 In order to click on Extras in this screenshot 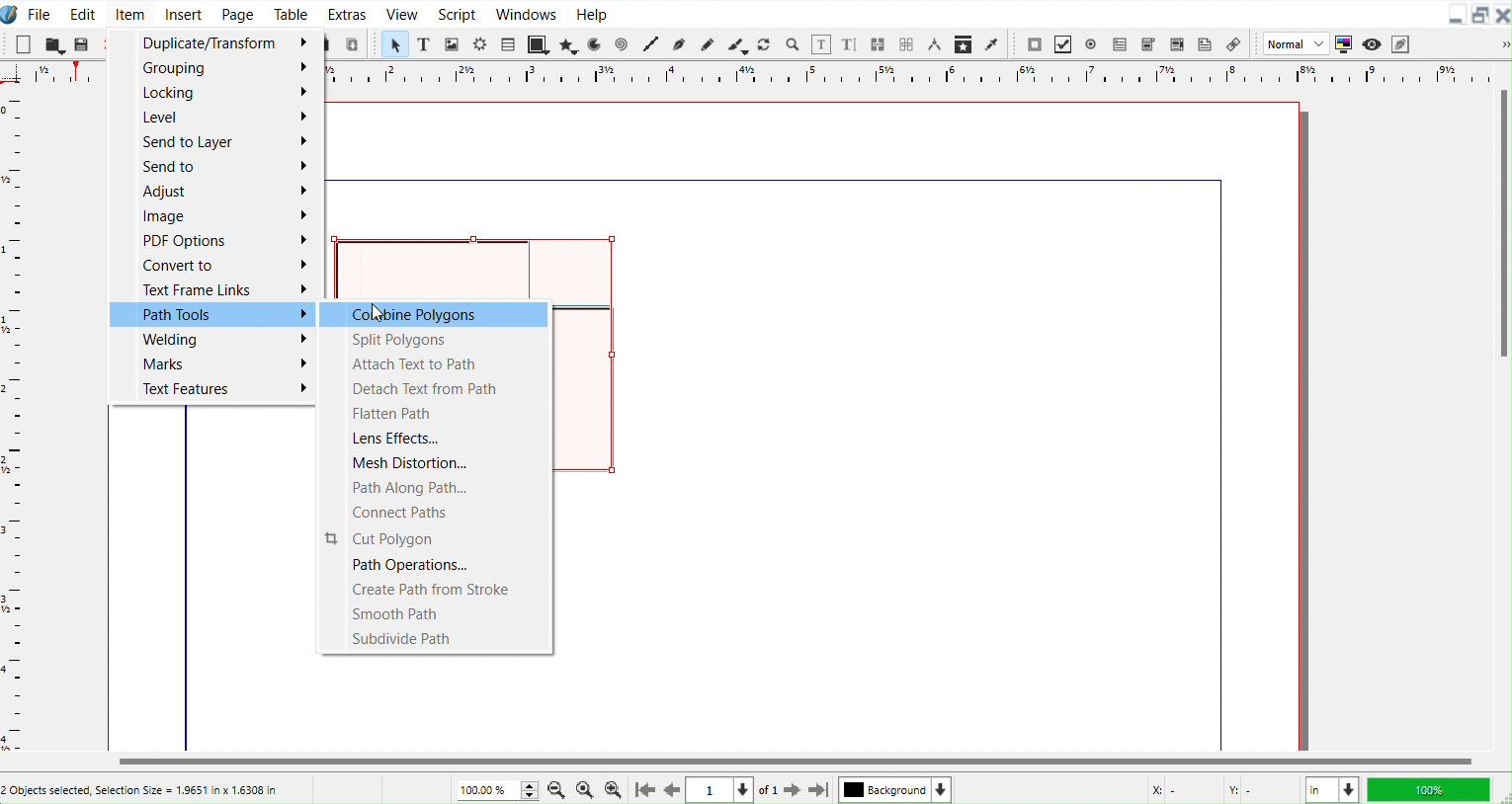, I will do `click(348, 13)`.